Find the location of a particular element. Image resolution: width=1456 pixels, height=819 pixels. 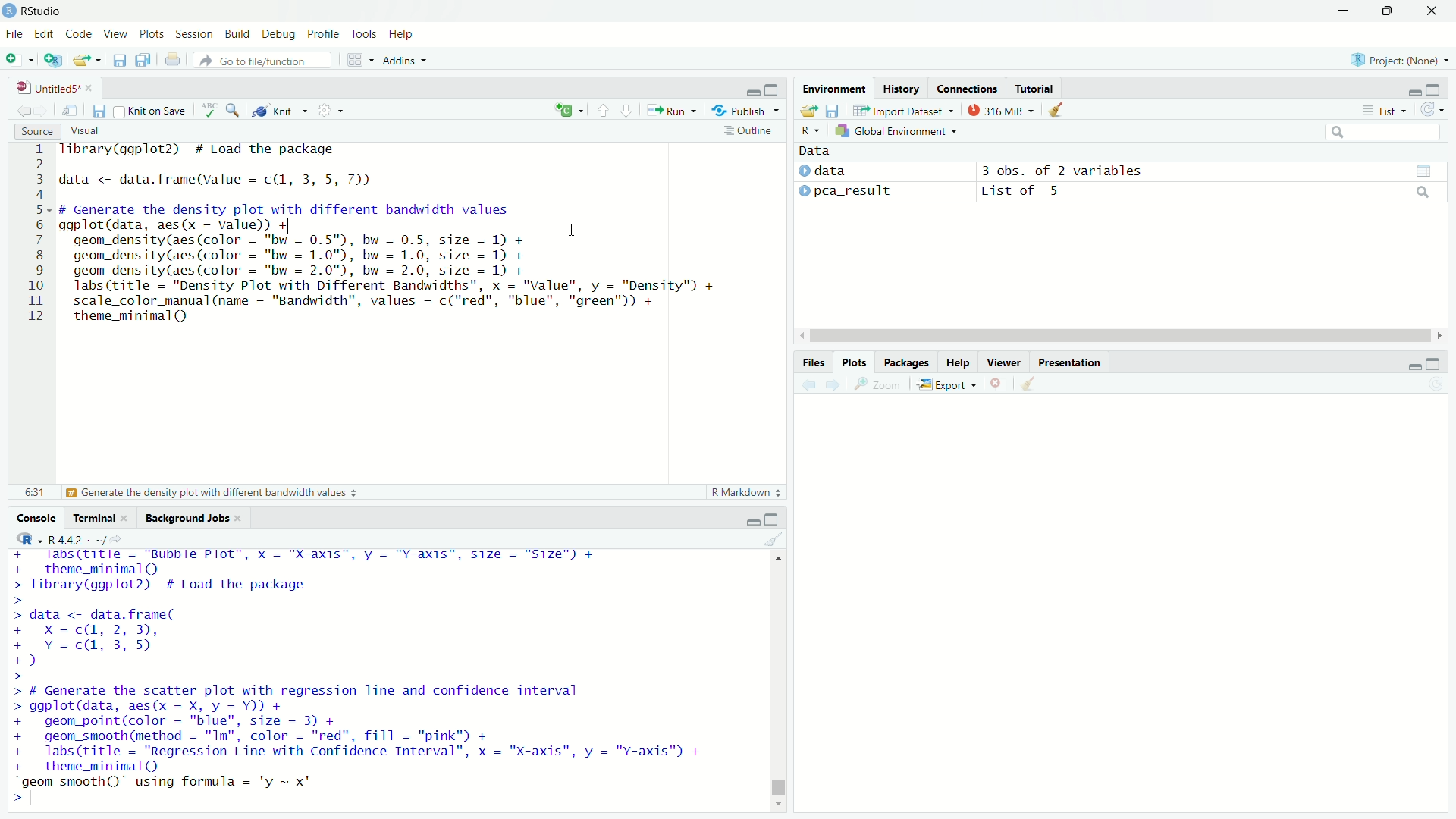

Plots is located at coordinates (853, 362).